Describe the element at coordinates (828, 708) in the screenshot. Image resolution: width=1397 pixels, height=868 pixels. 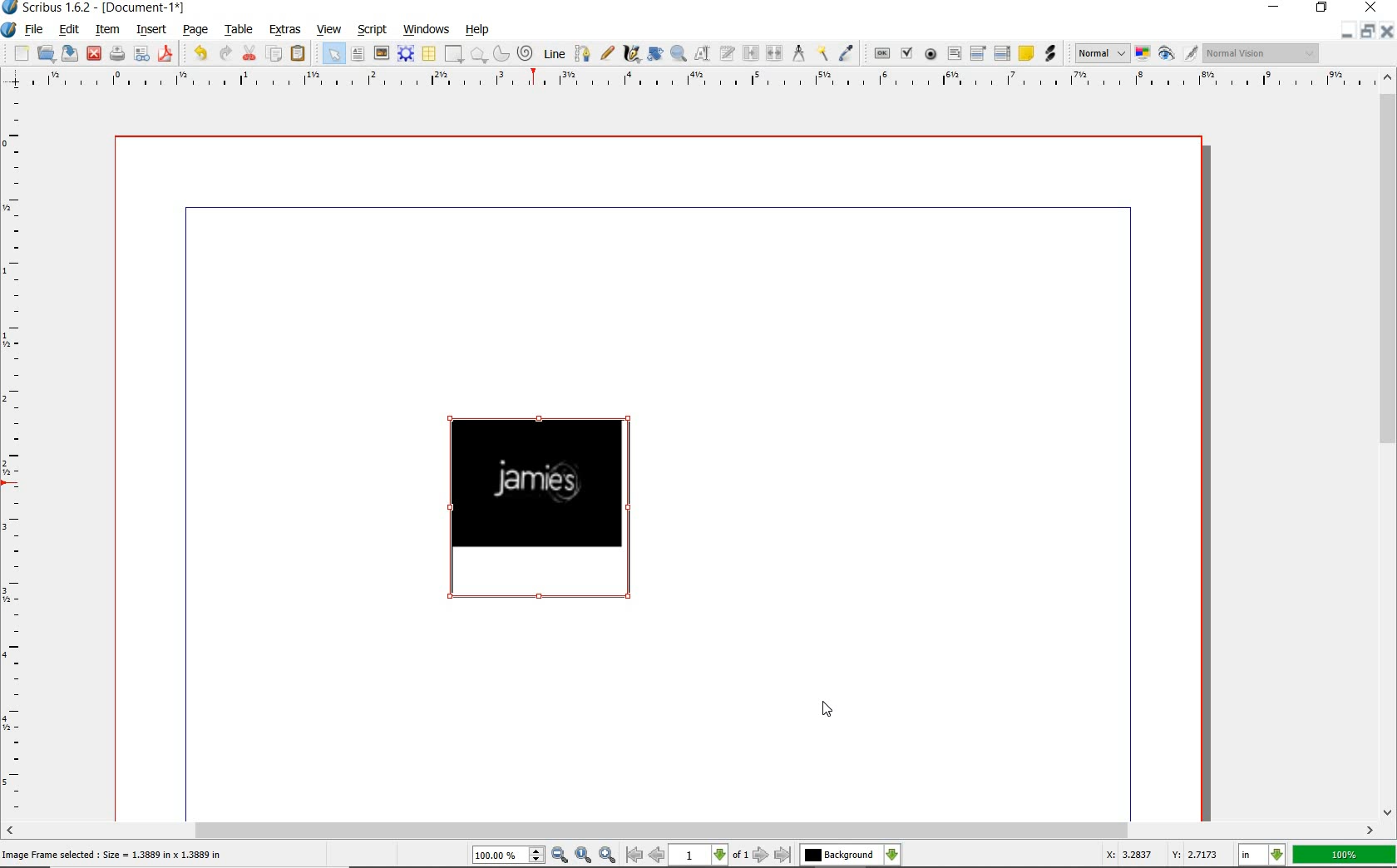
I see `cursor` at that location.